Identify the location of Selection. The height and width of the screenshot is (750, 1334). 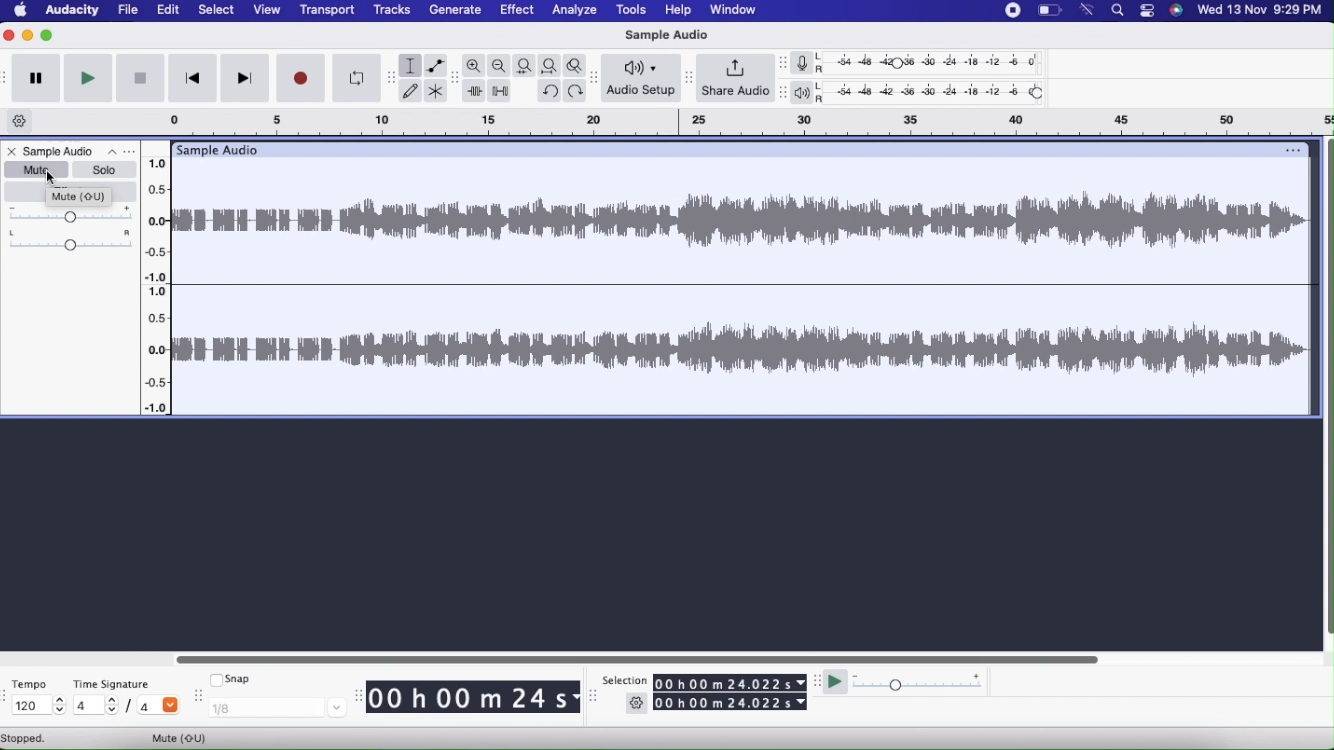
(625, 681).